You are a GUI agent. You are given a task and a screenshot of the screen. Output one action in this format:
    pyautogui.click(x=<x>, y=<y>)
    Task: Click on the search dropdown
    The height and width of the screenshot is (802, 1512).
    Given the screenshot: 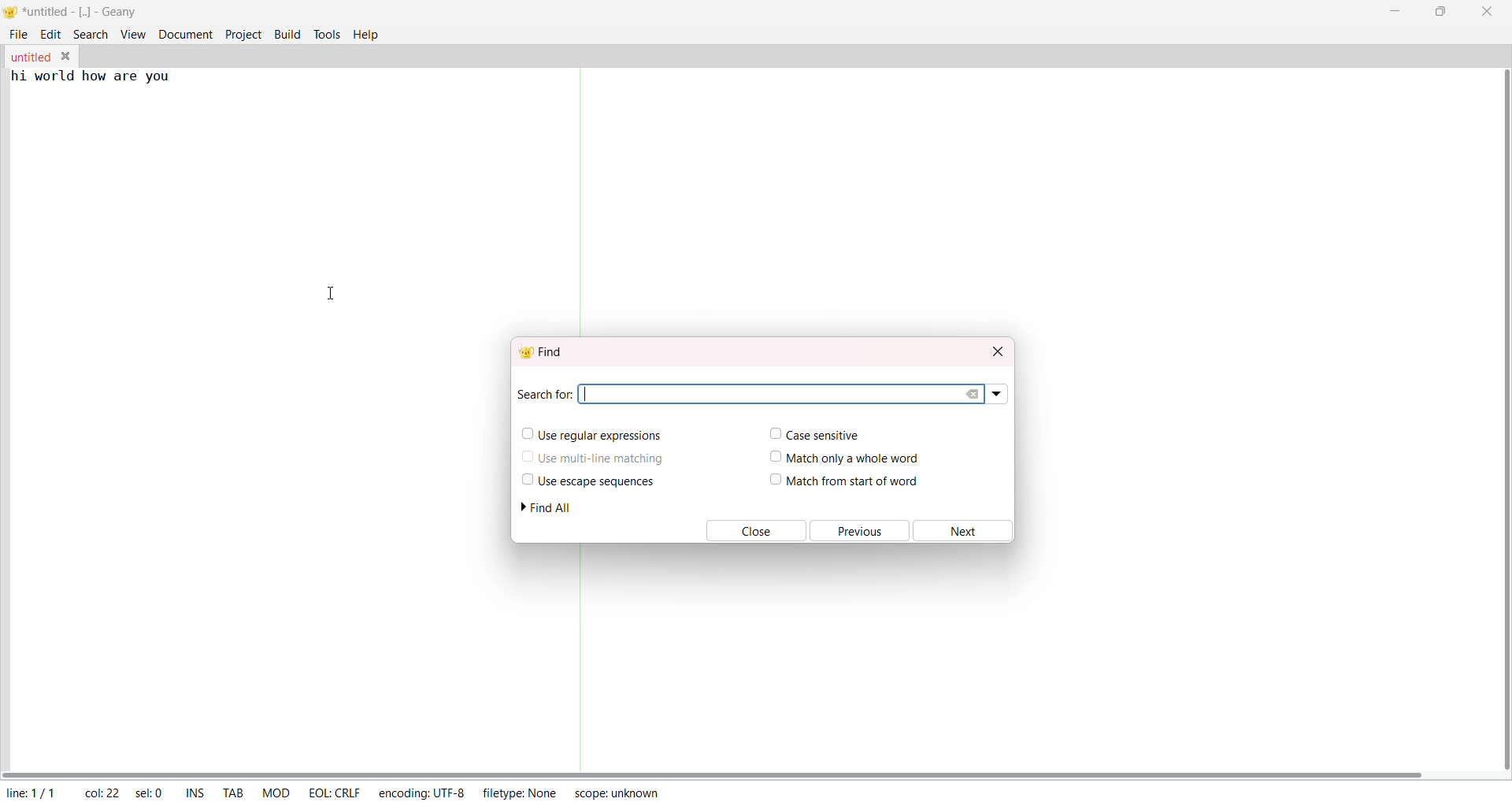 What is the action you would take?
    pyautogui.click(x=1002, y=393)
    